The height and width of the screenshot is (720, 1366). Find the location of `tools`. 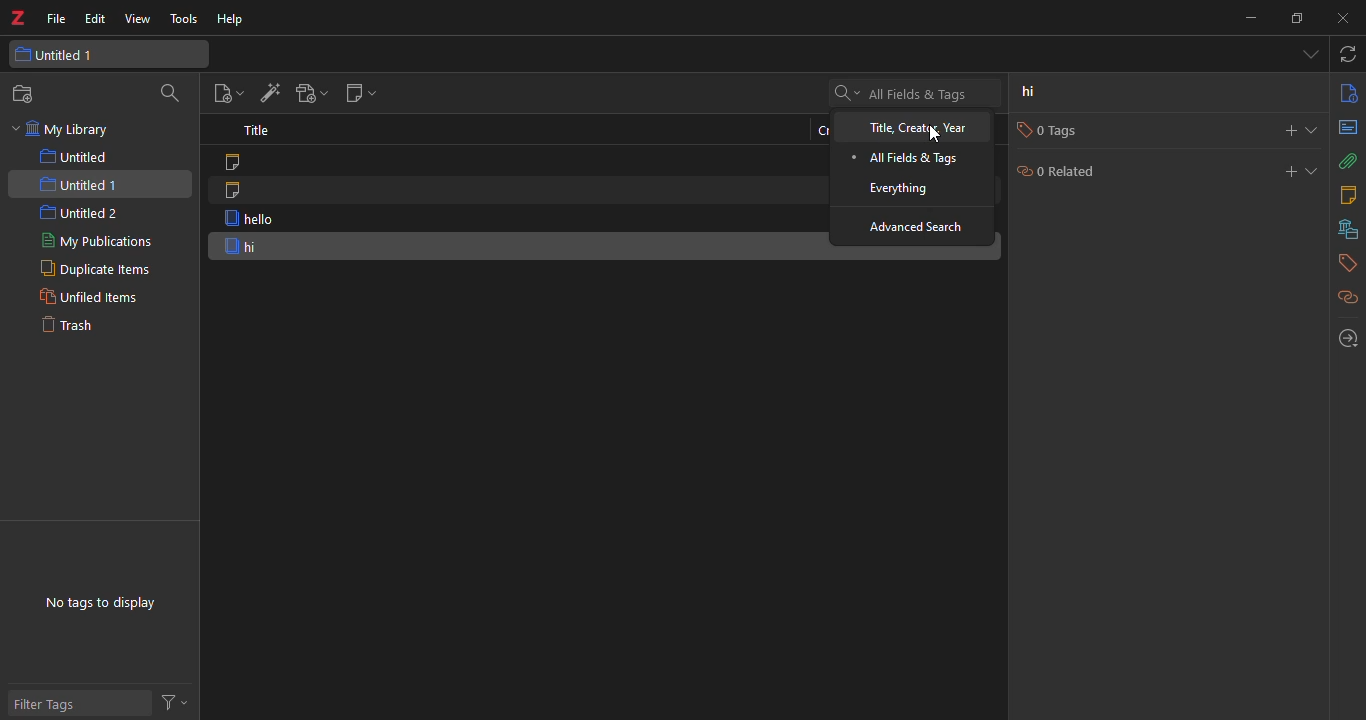

tools is located at coordinates (183, 19).